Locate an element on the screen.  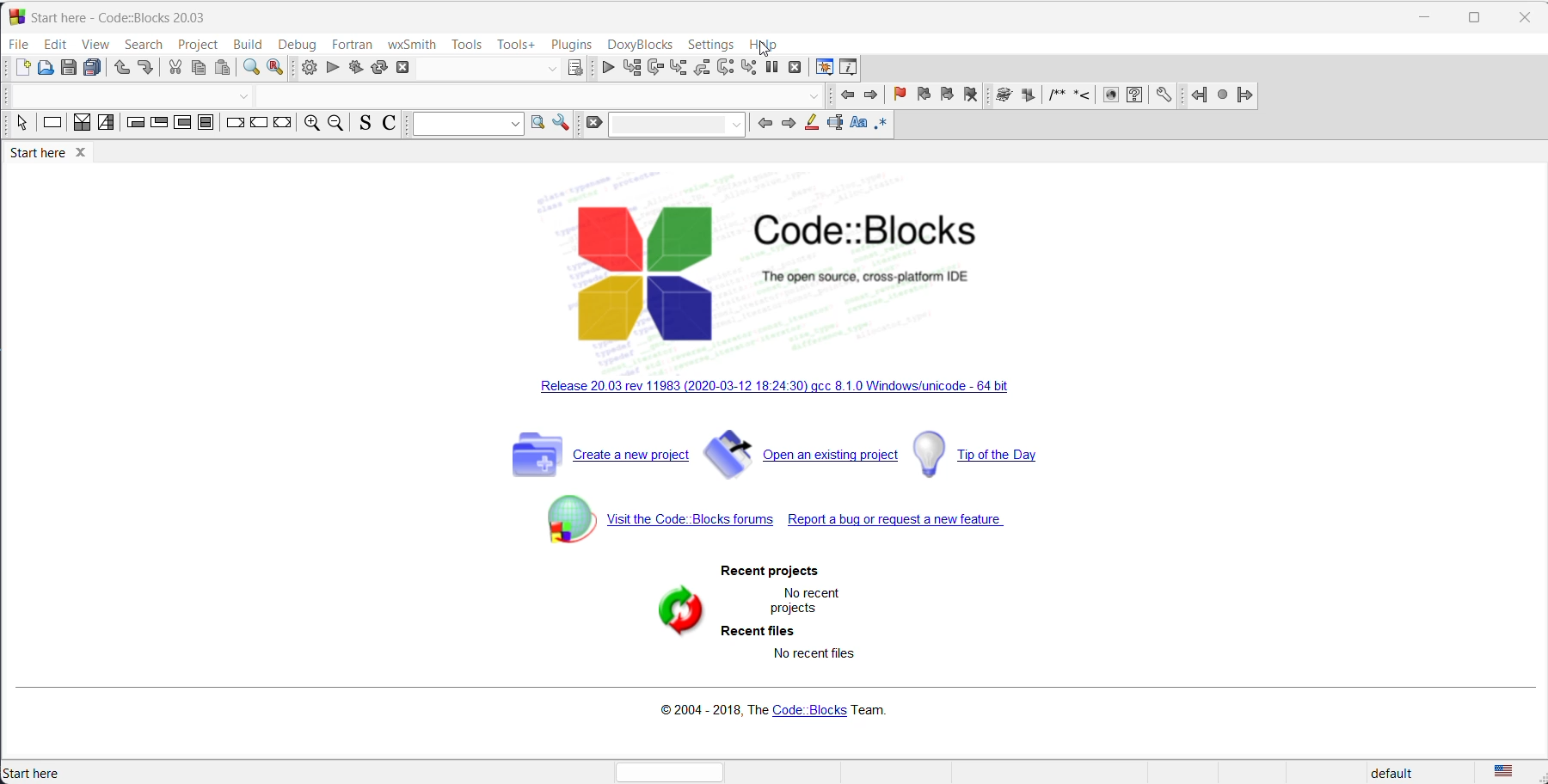
start here is located at coordinates (36, 773).